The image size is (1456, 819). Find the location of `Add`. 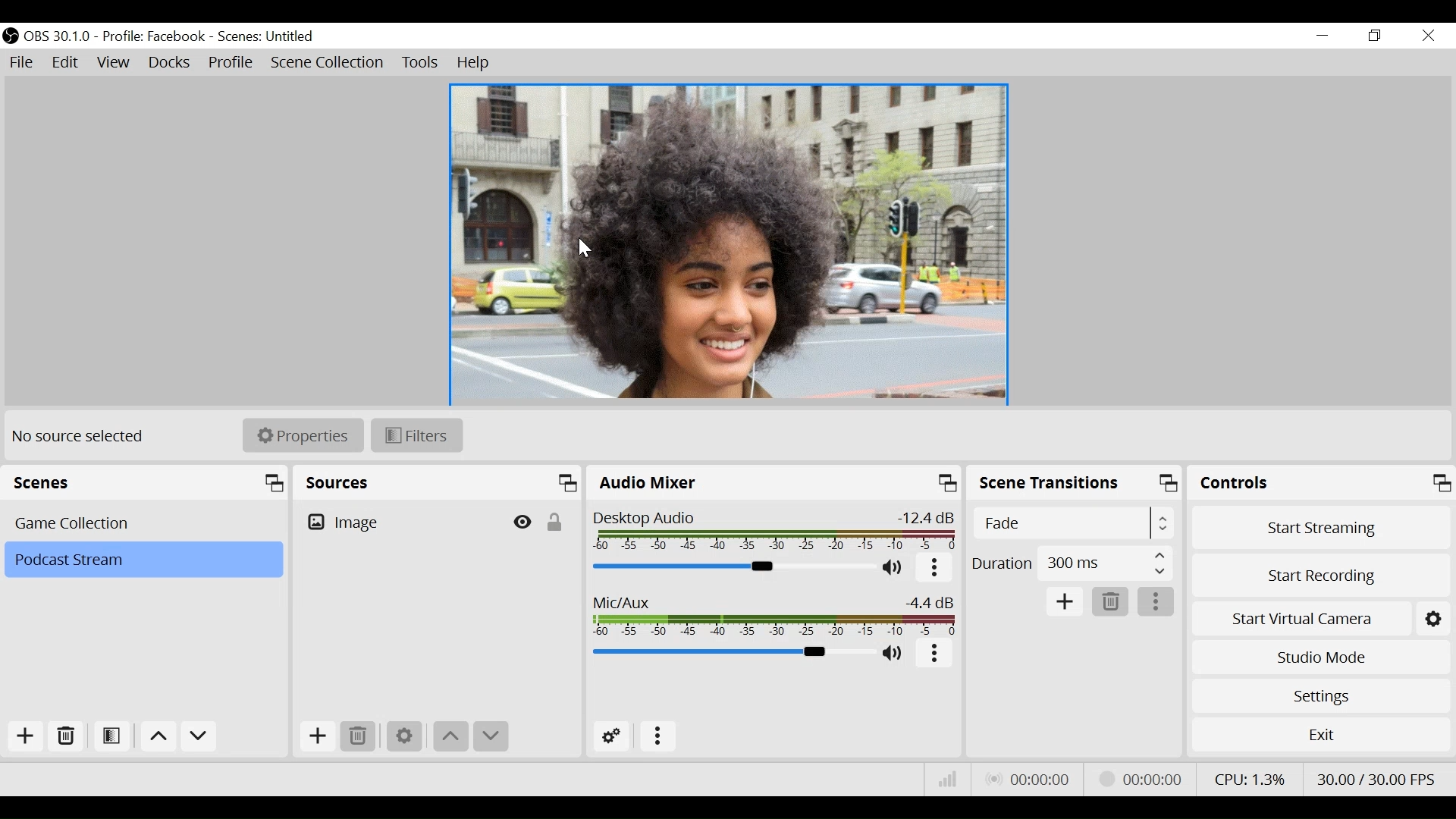

Add is located at coordinates (318, 737).